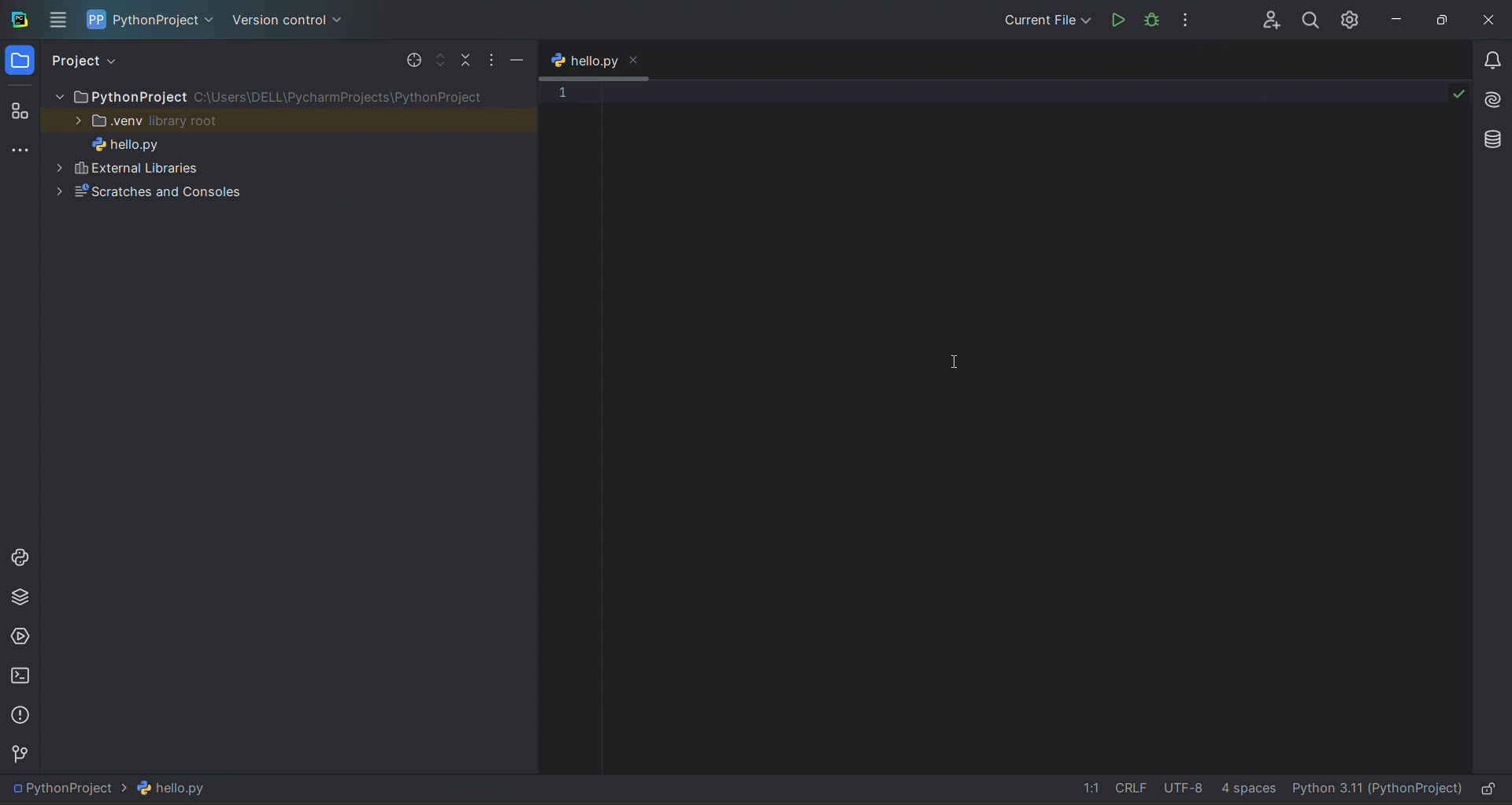 The image size is (1512, 805). What do you see at coordinates (20, 597) in the screenshot?
I see `python package` at bounding box center [20, 597].